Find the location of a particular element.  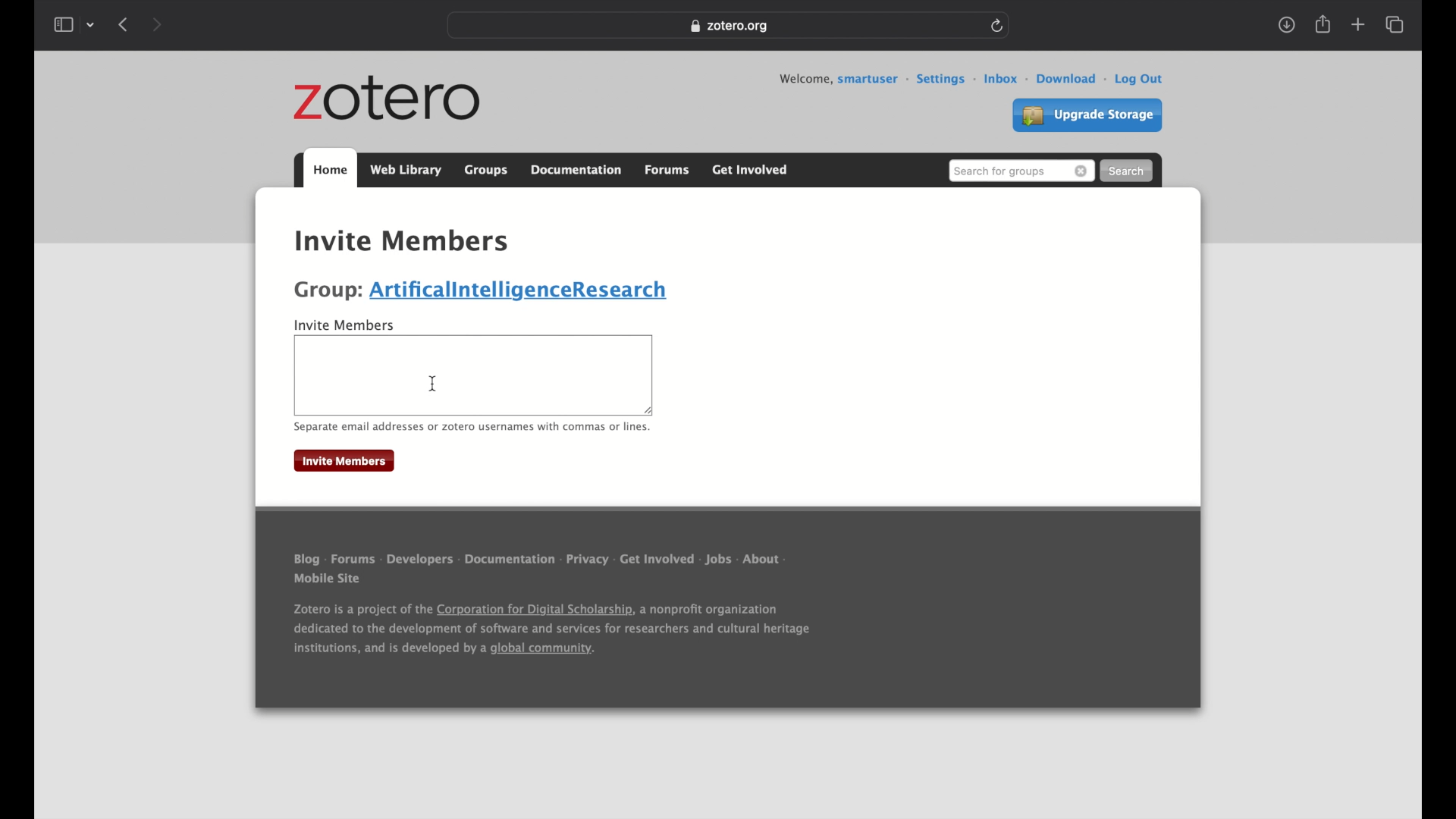

invite members is located at coordinates (403, 243).